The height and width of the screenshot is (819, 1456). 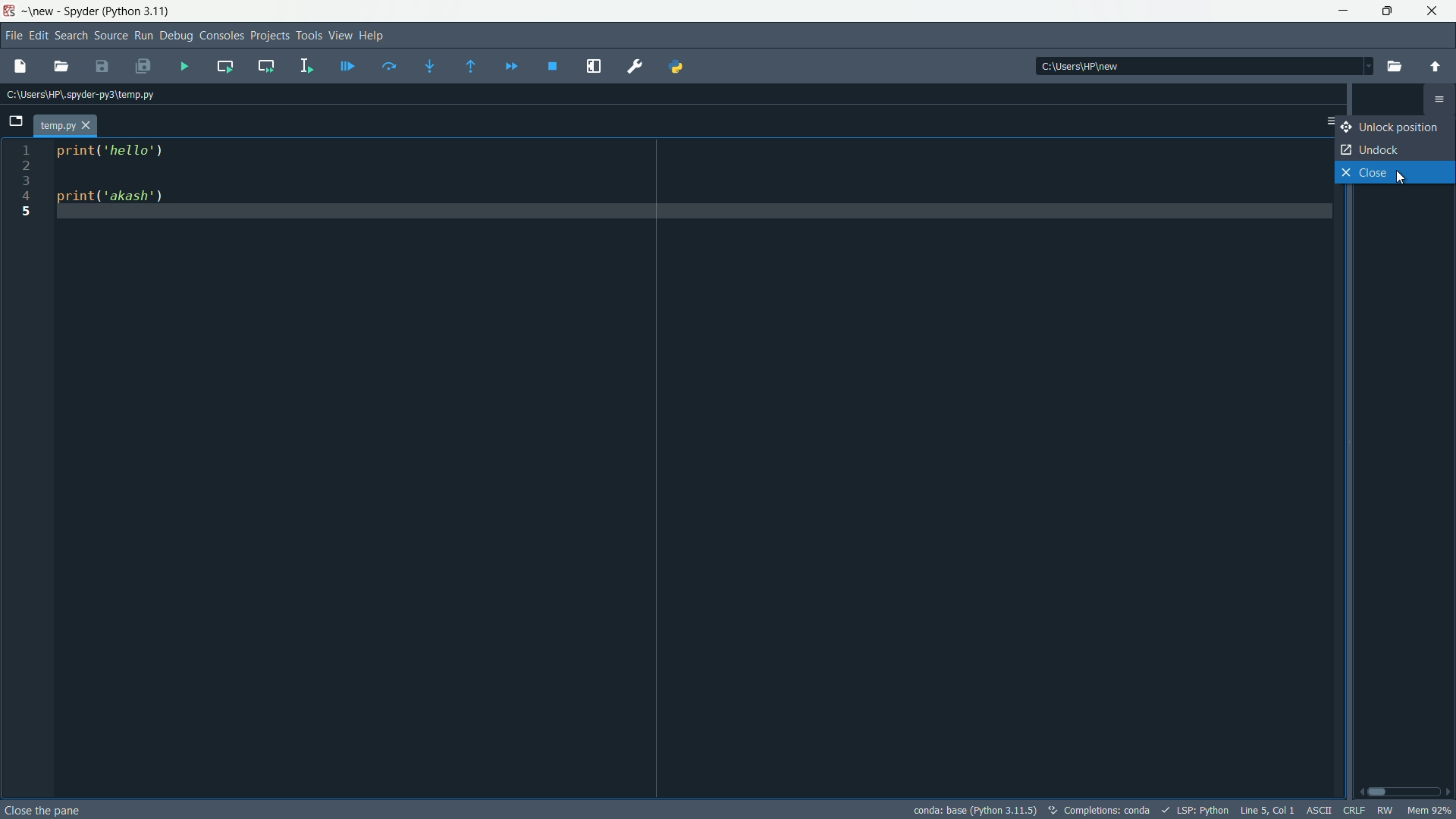 I want to click on Tools Menu, so click(x=309, y=35).